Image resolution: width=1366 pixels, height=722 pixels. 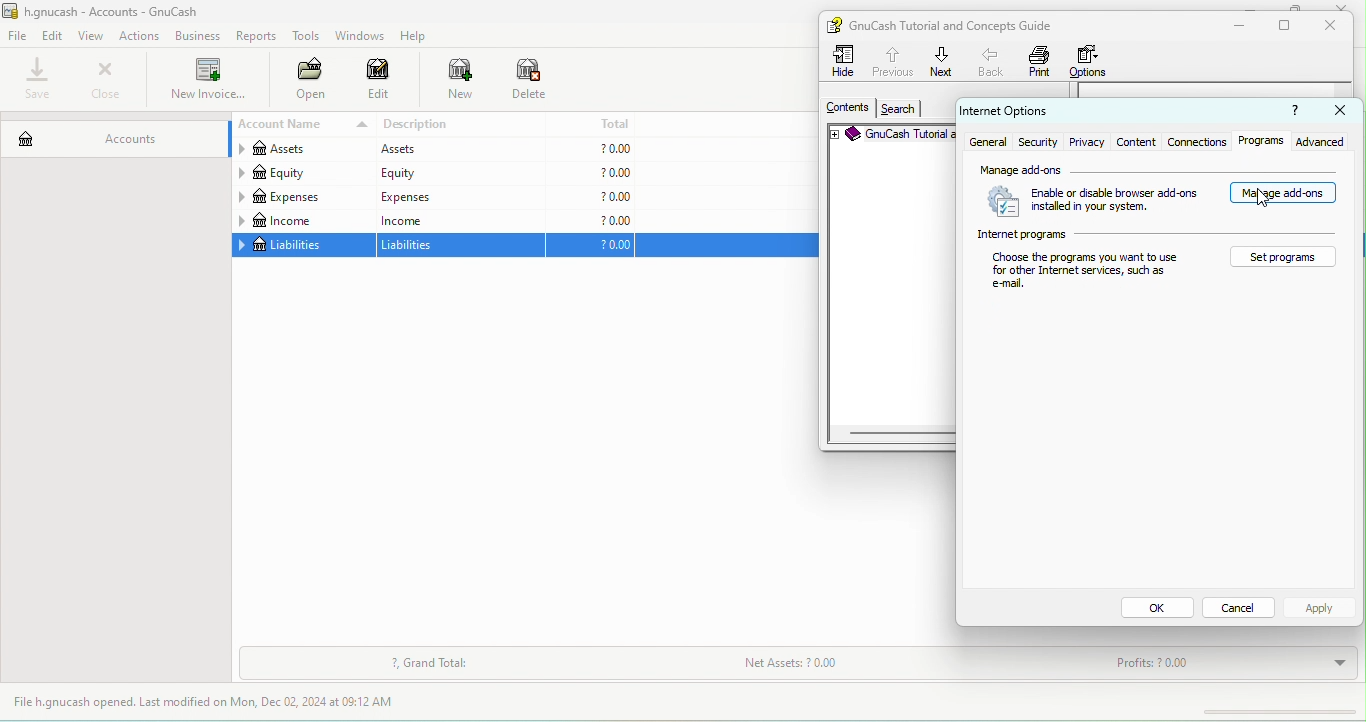 What do you see at coordinates (1262, 142) in the screenshot?
I see `programs` at bounding box center [1262, 142].